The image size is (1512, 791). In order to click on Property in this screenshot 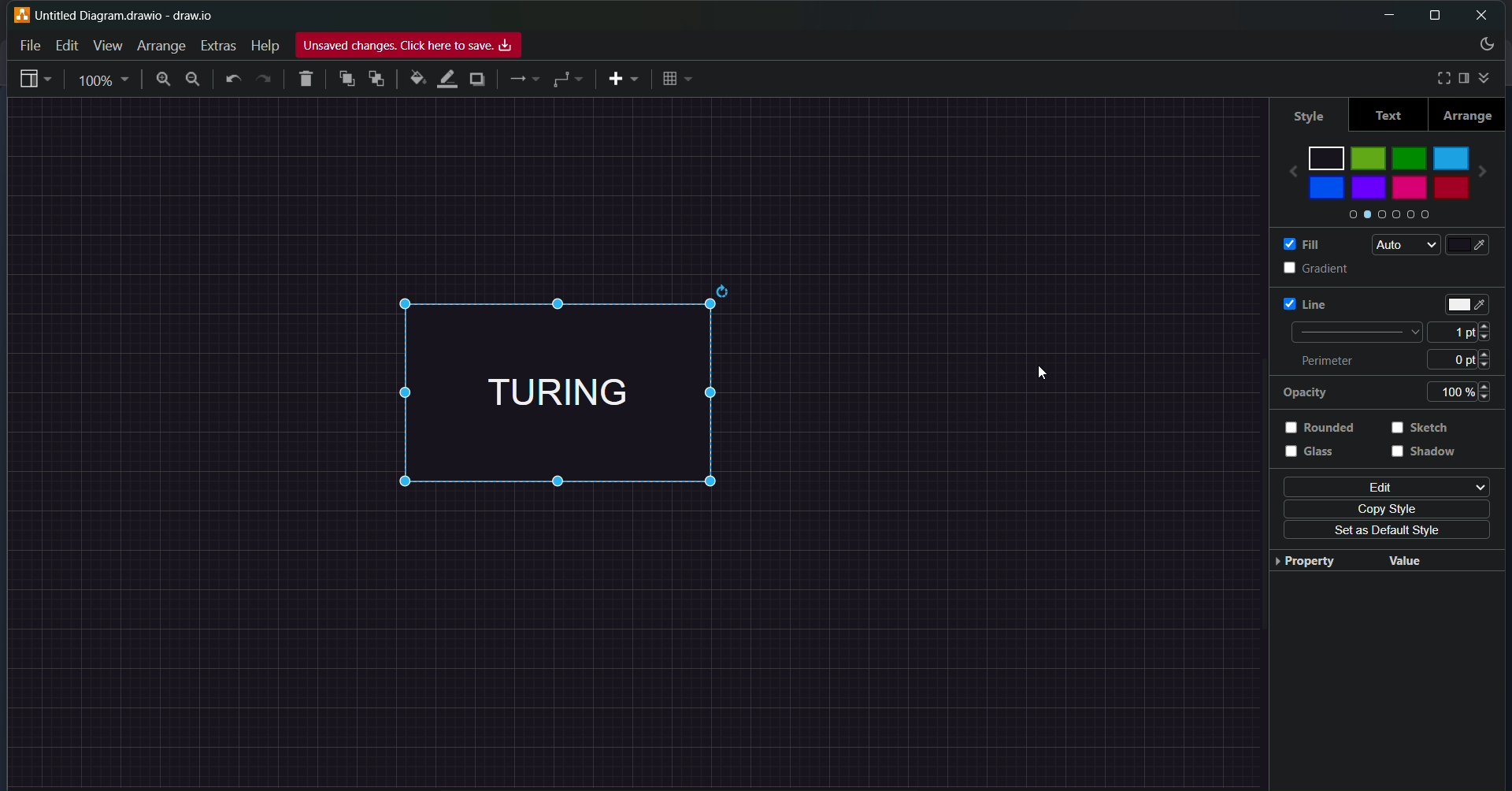, I will do `click(1306, 566)`.